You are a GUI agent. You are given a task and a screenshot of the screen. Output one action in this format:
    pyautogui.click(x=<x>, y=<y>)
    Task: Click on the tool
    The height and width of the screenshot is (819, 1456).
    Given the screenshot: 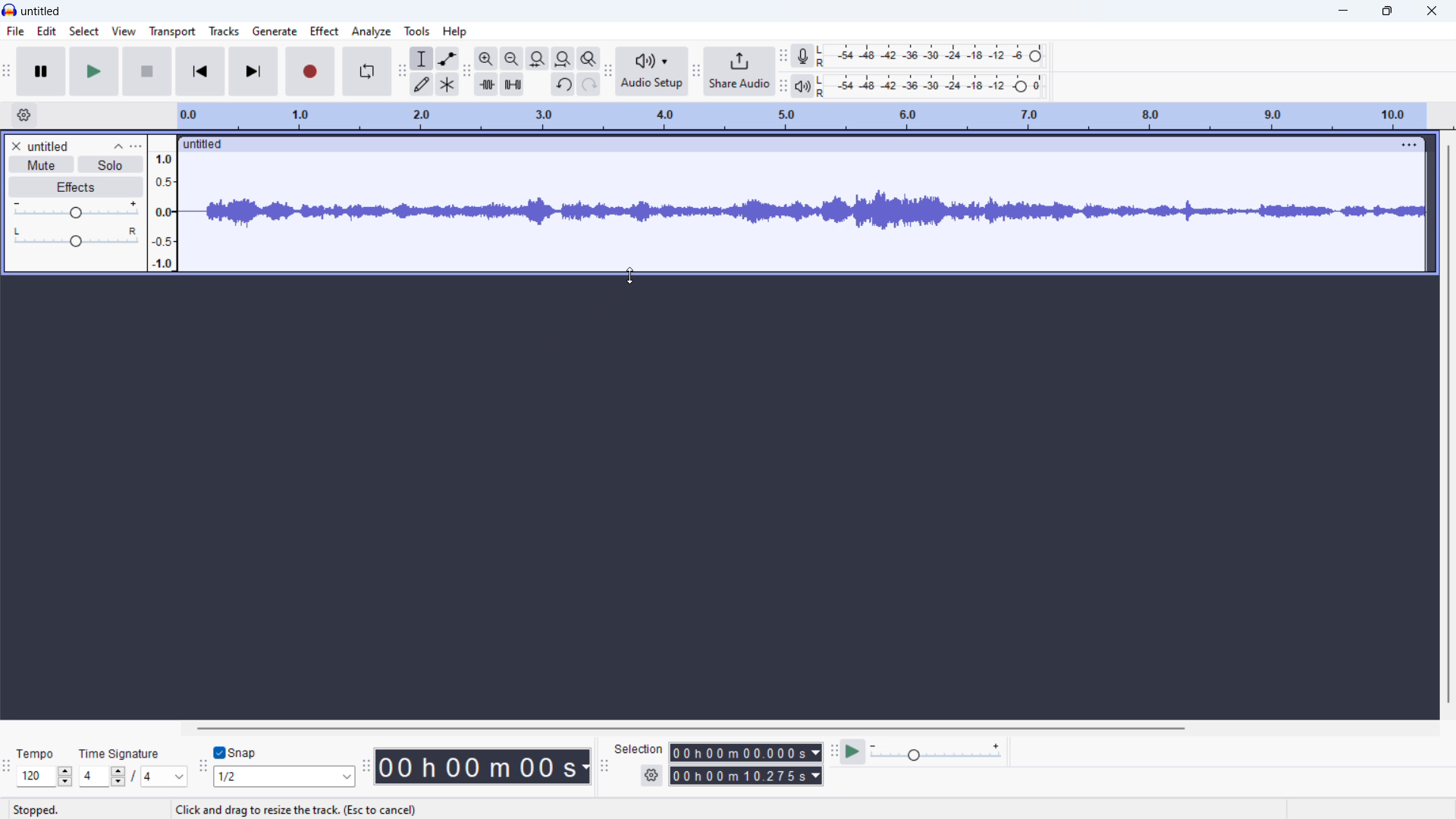 What is the action you would take?
    pyautogui.click(x=417, y=31)
    